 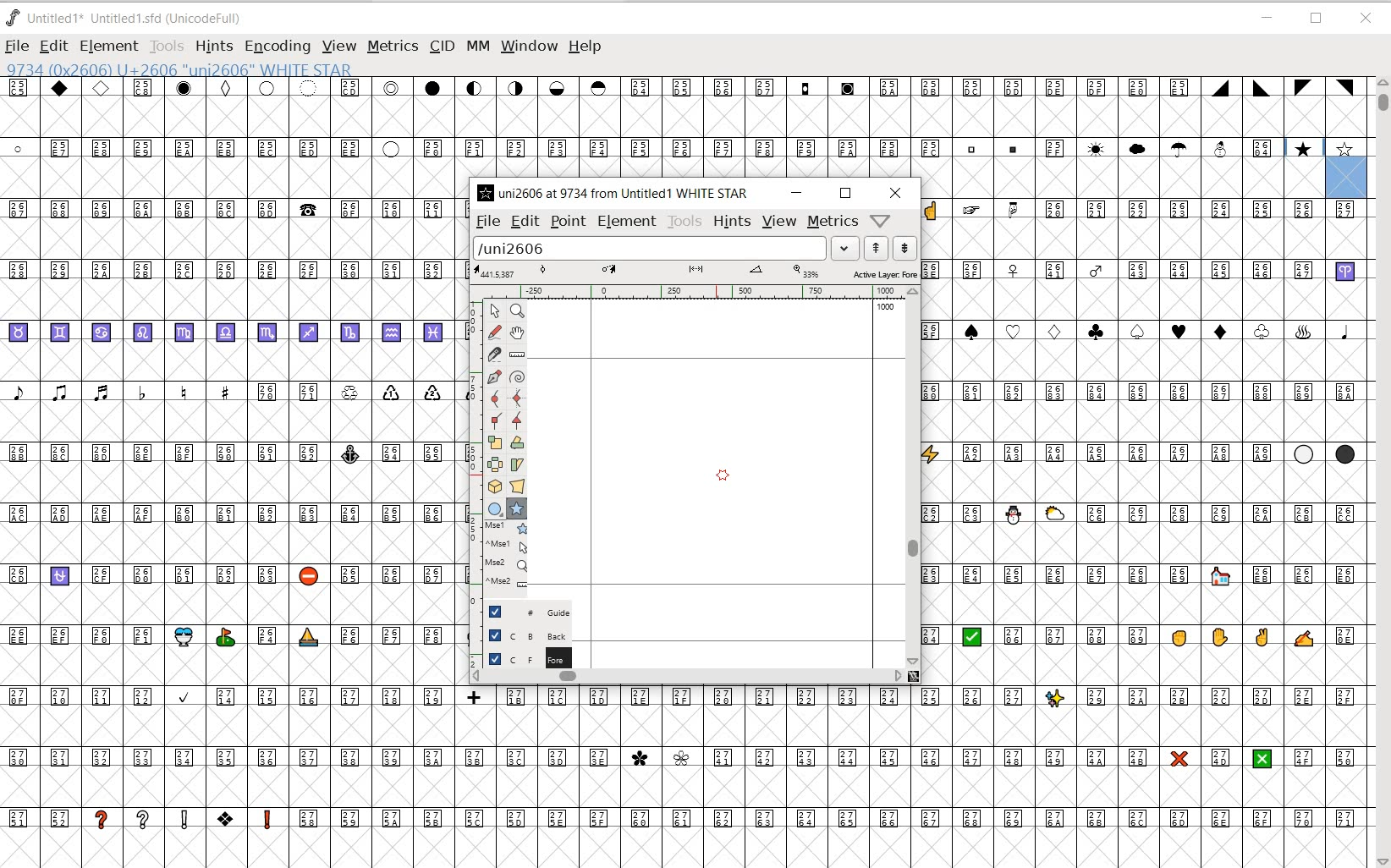 What do you see at coordinates (508, 555) in the screenshot?
I see `OCCURENCES OF EDITING TOOLS ON THE WINDOW` at bounding box center [508, 555].